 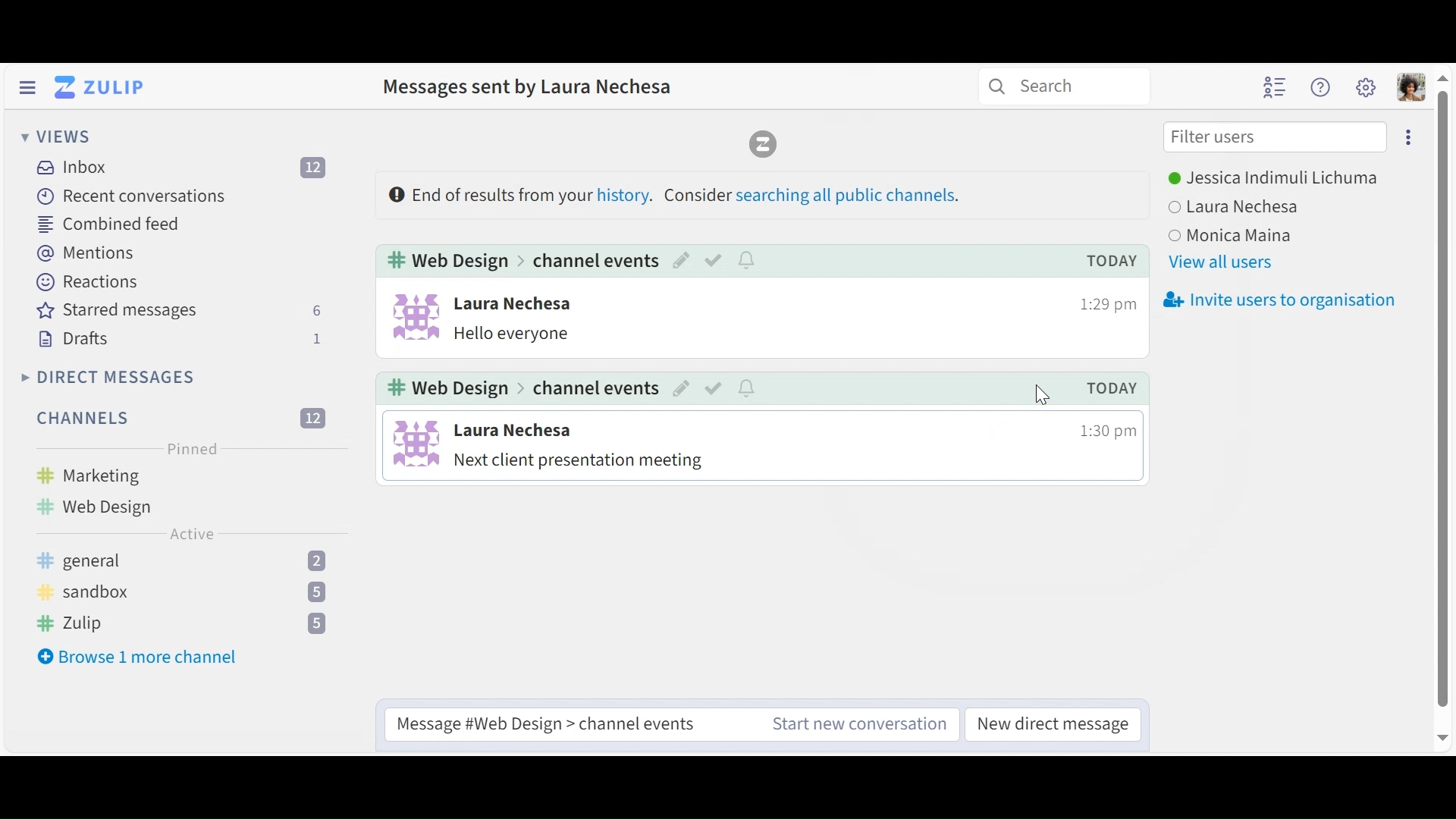 I want to click on zulip, so click(x=191, y=623).